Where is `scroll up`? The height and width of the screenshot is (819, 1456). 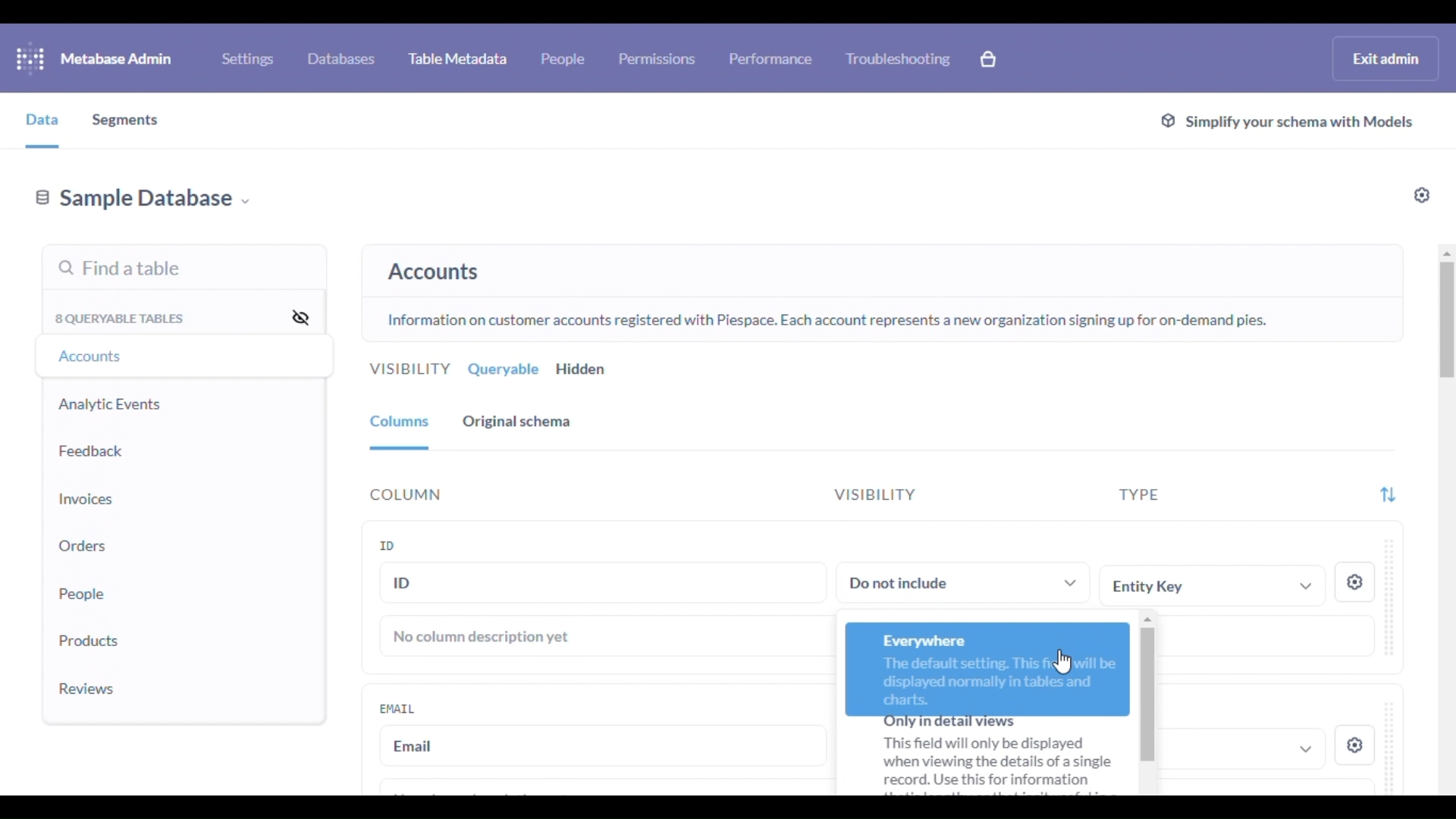 scroll up is located at coordinates (1443, 253).